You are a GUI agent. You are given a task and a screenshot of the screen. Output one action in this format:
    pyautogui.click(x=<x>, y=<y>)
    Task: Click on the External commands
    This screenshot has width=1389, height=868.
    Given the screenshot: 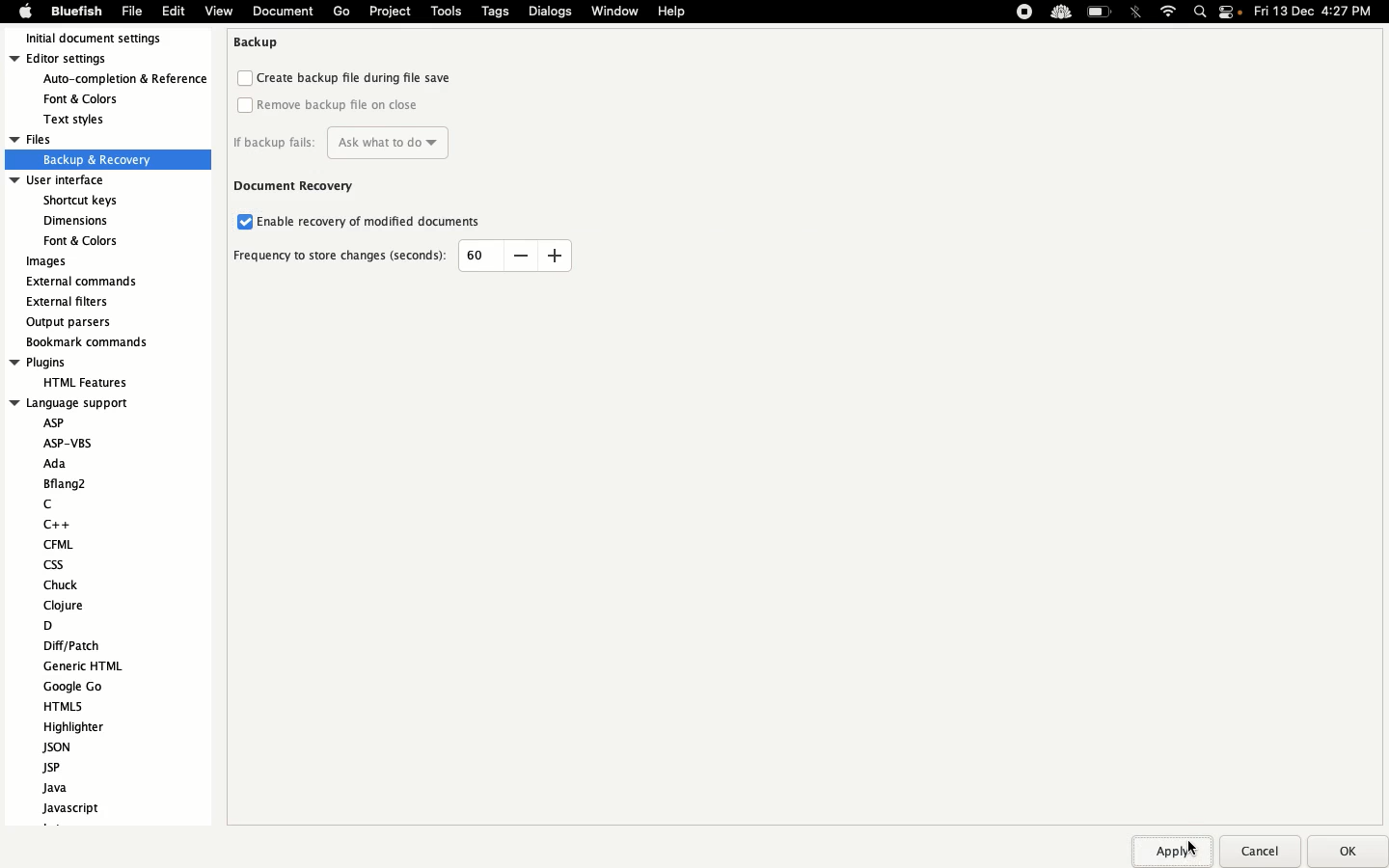 What is the action you would take?
    pyautogui.click(x=91, y=282)
    